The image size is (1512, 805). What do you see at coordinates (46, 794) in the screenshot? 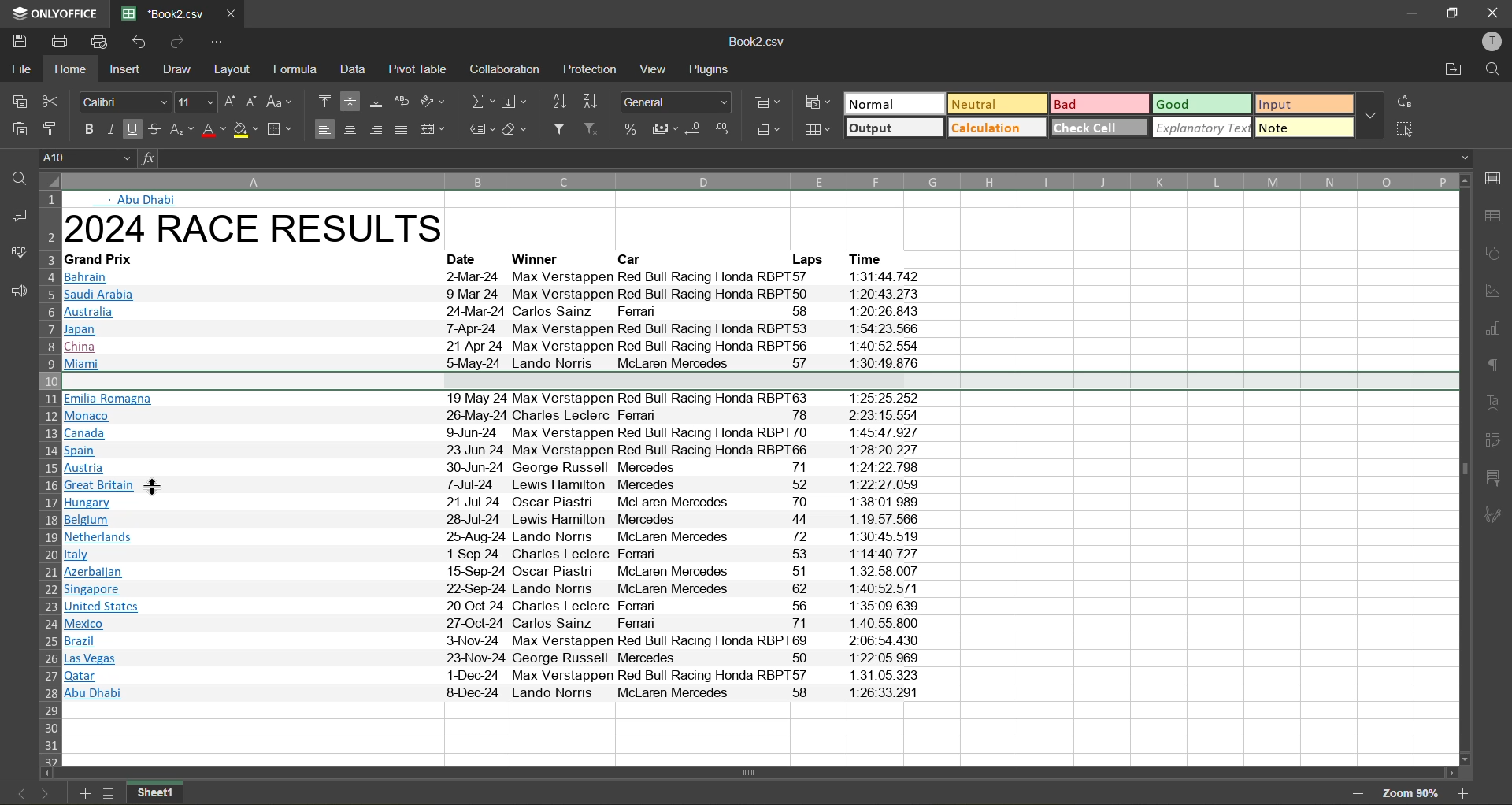
I see `next` at bounding box center [46, 794].